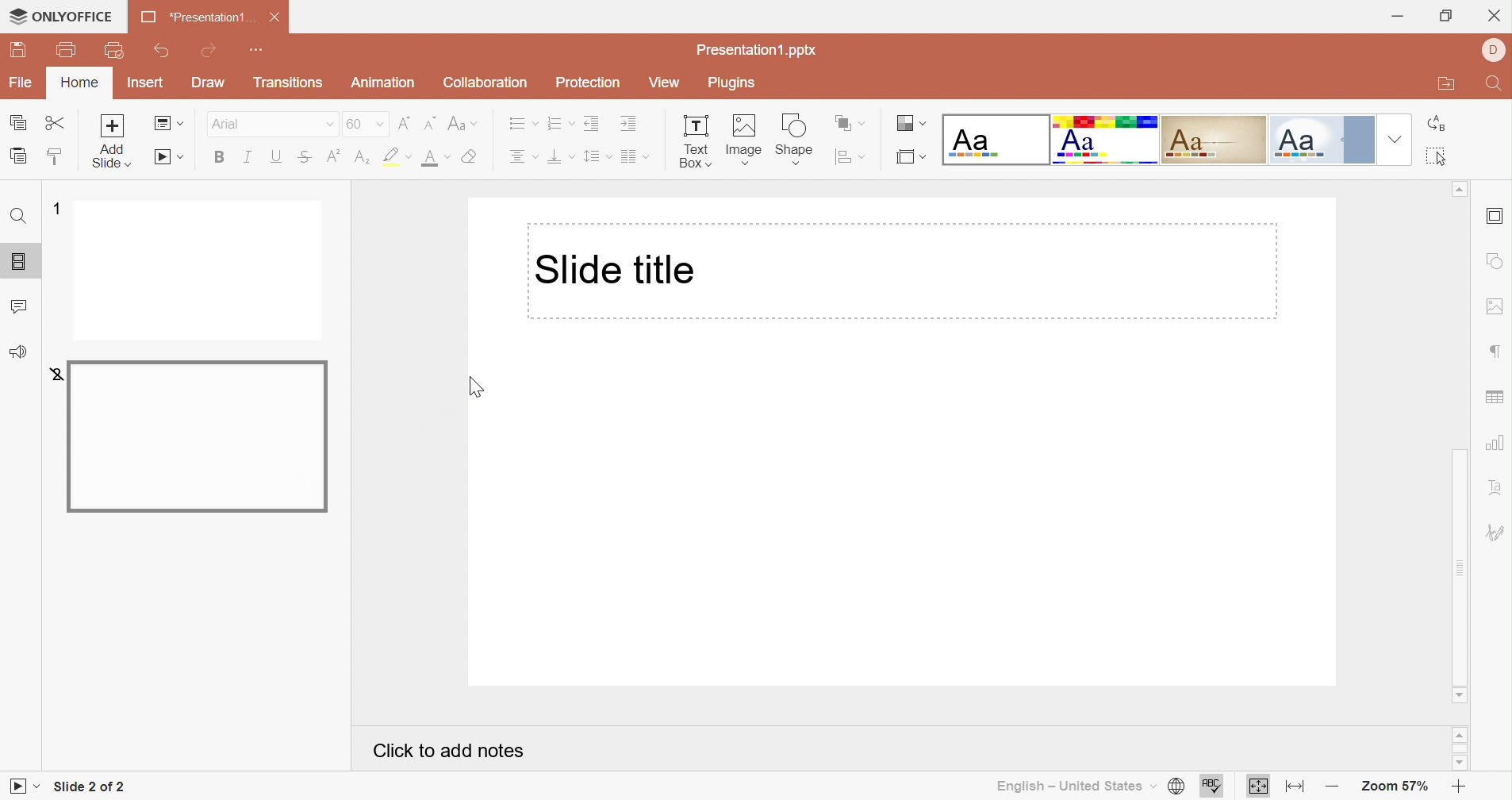 This screenshot has width=1512, height=800. I want to click on Collaboration, so click(485, 83).